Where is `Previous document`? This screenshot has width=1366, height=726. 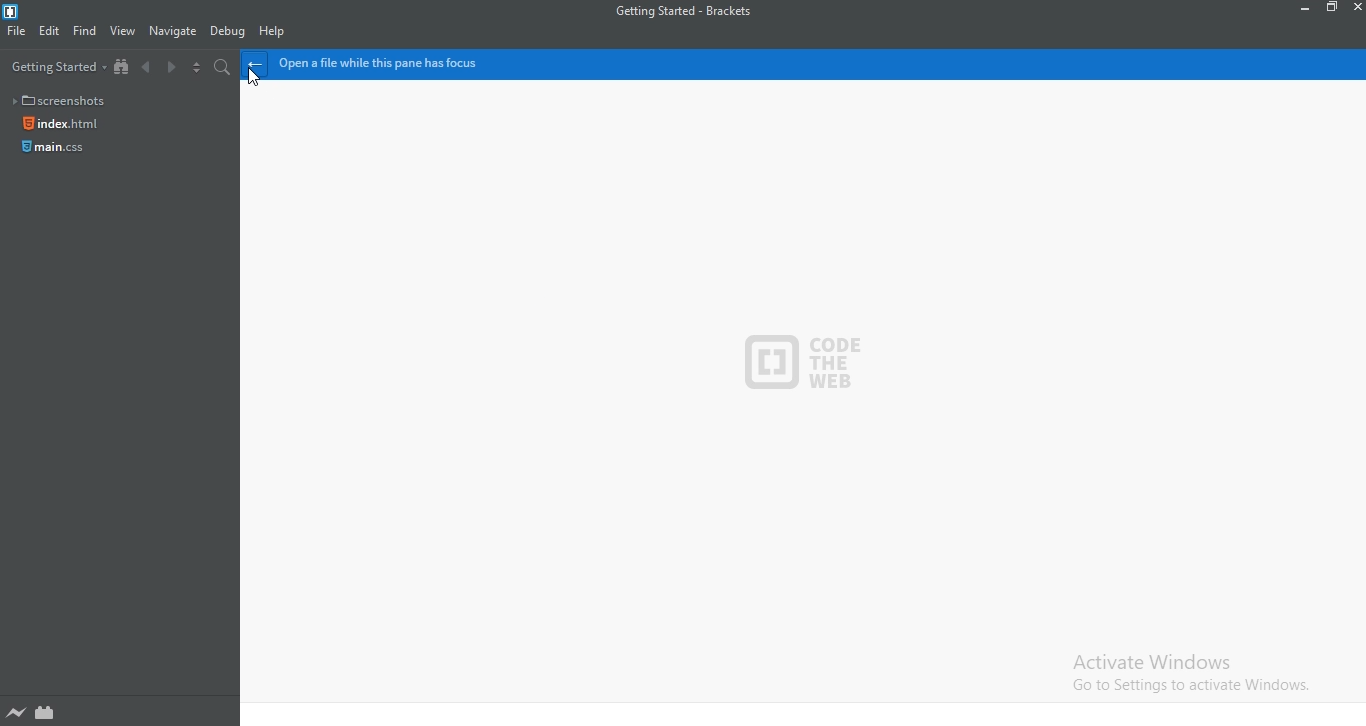
Previous document is located at coordinates (149, 68).